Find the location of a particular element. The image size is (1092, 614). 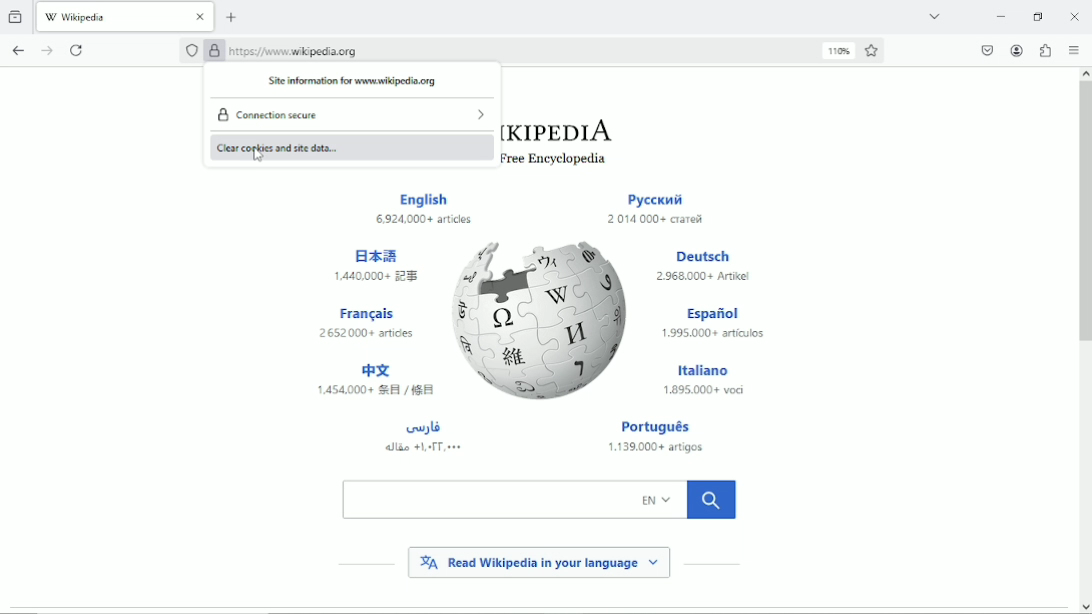

clear cookies and site data is located at coordinates (353, 147).